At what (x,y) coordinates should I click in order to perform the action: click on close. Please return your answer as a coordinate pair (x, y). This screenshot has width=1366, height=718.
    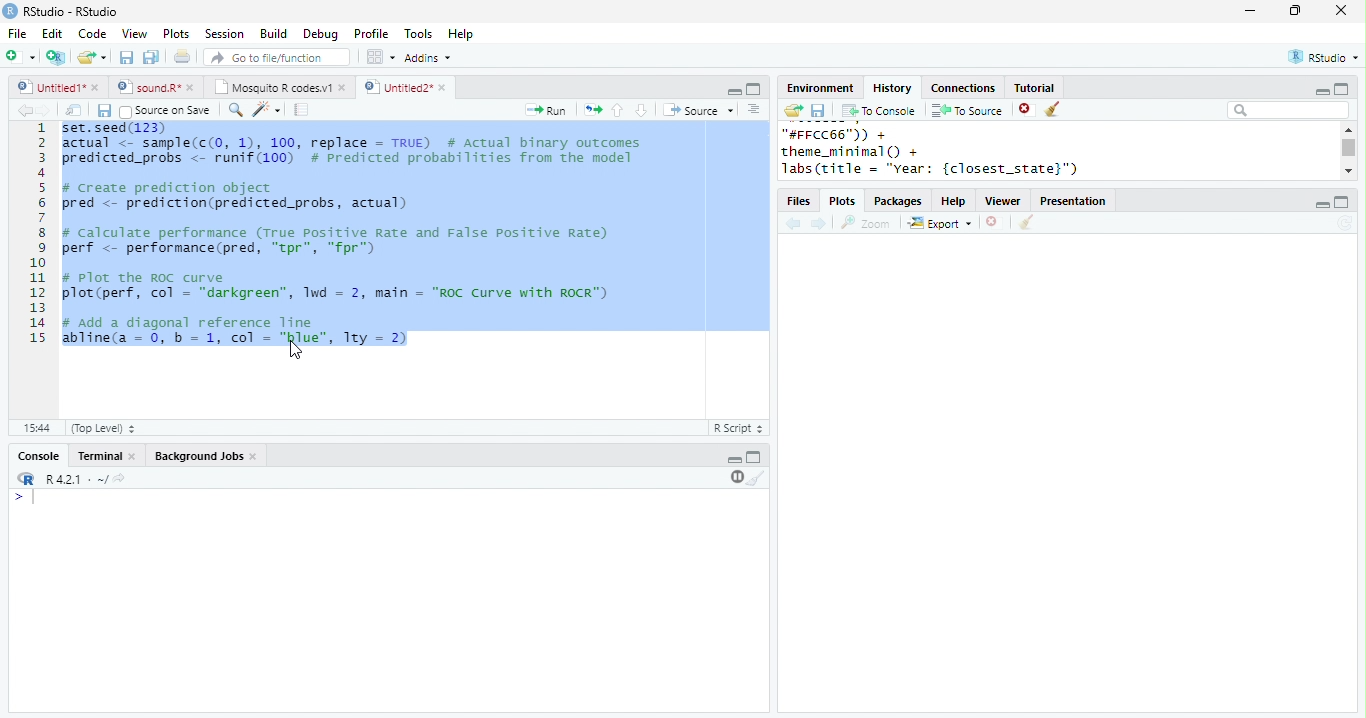
    Looking at the image, I should click on (1342, 10).